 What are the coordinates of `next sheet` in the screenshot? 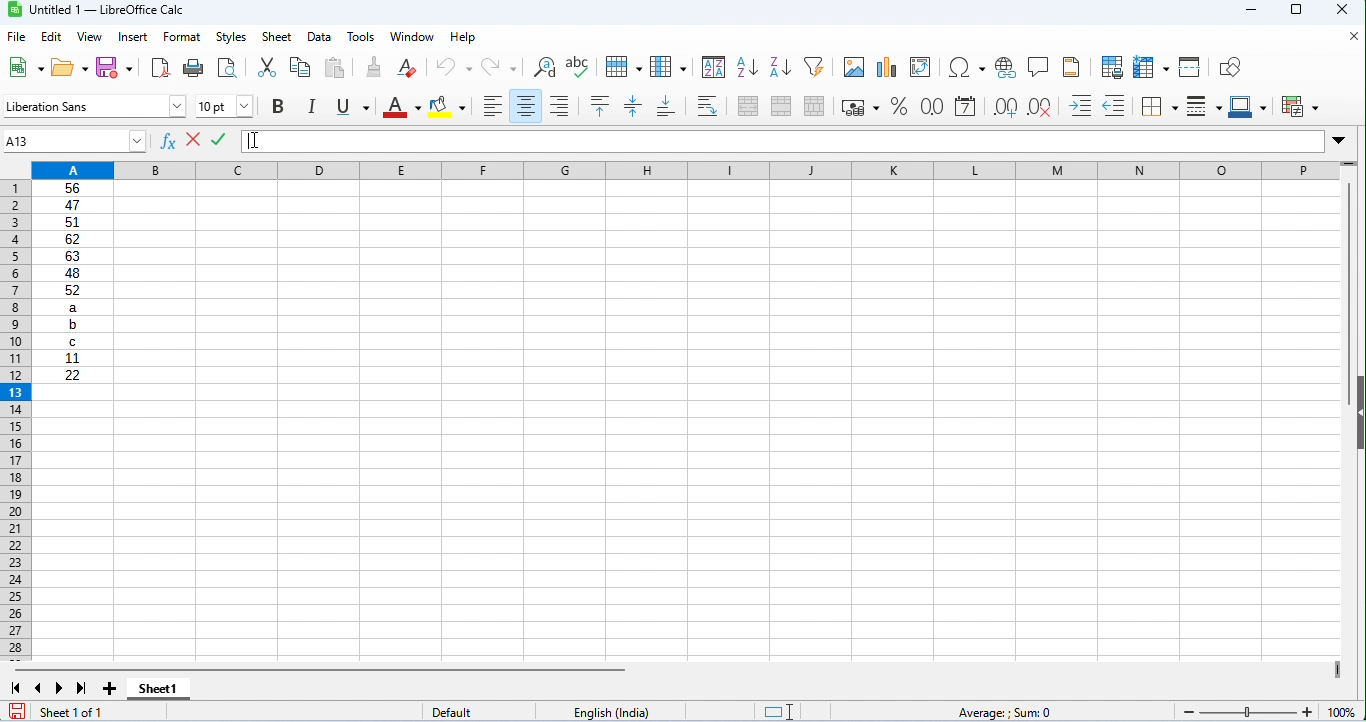 It's located at (60, 688).